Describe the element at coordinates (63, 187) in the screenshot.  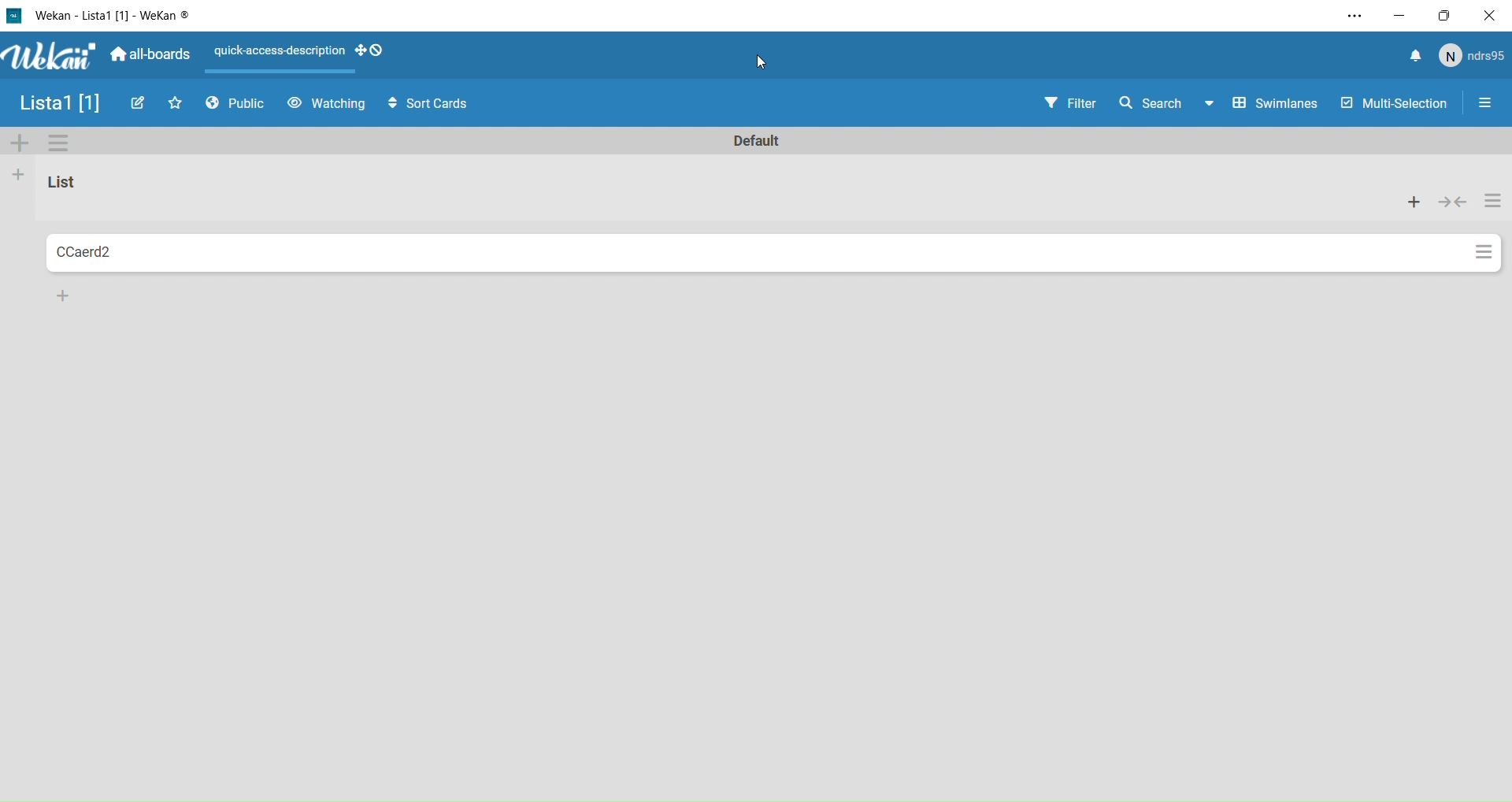
I see `List` at that location.